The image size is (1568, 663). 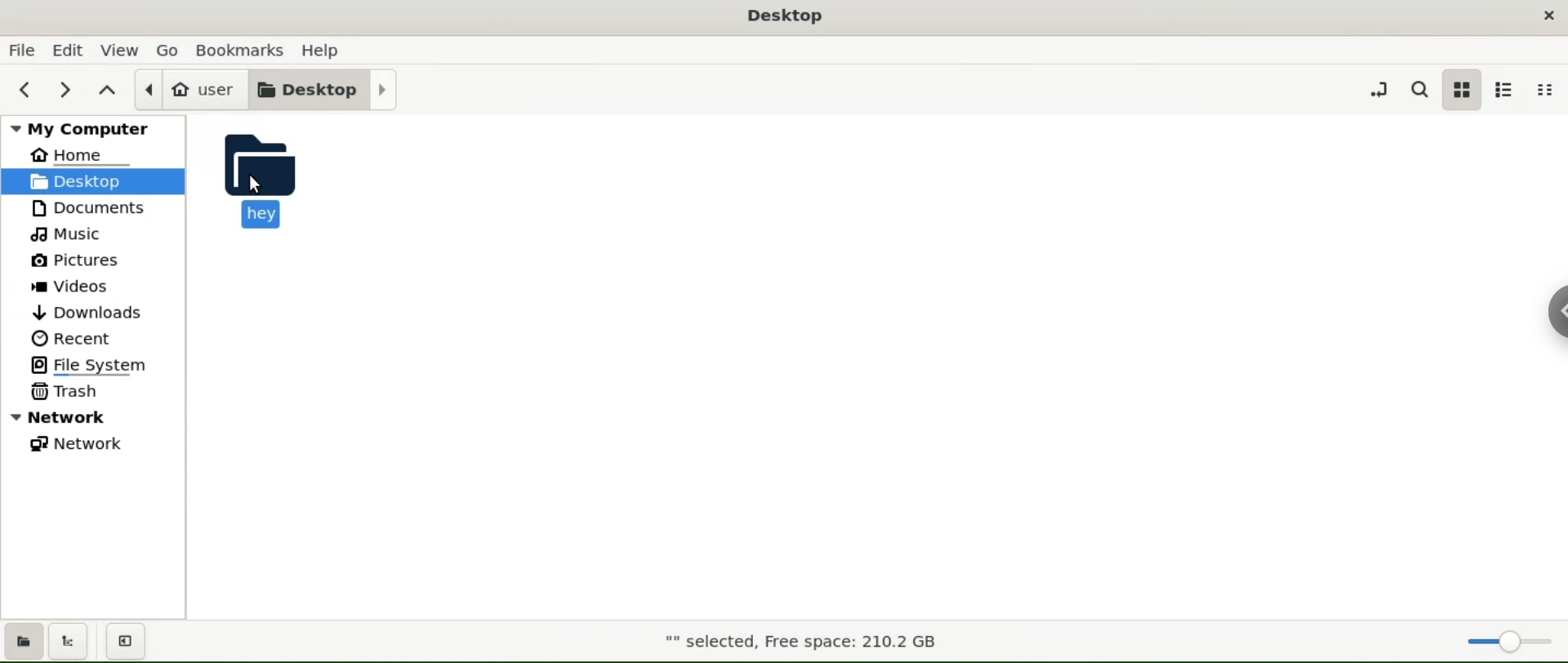 What do you see at coordinates (94, 366) in the screenshot?
I see `file system` at bounding box center [94, 366].